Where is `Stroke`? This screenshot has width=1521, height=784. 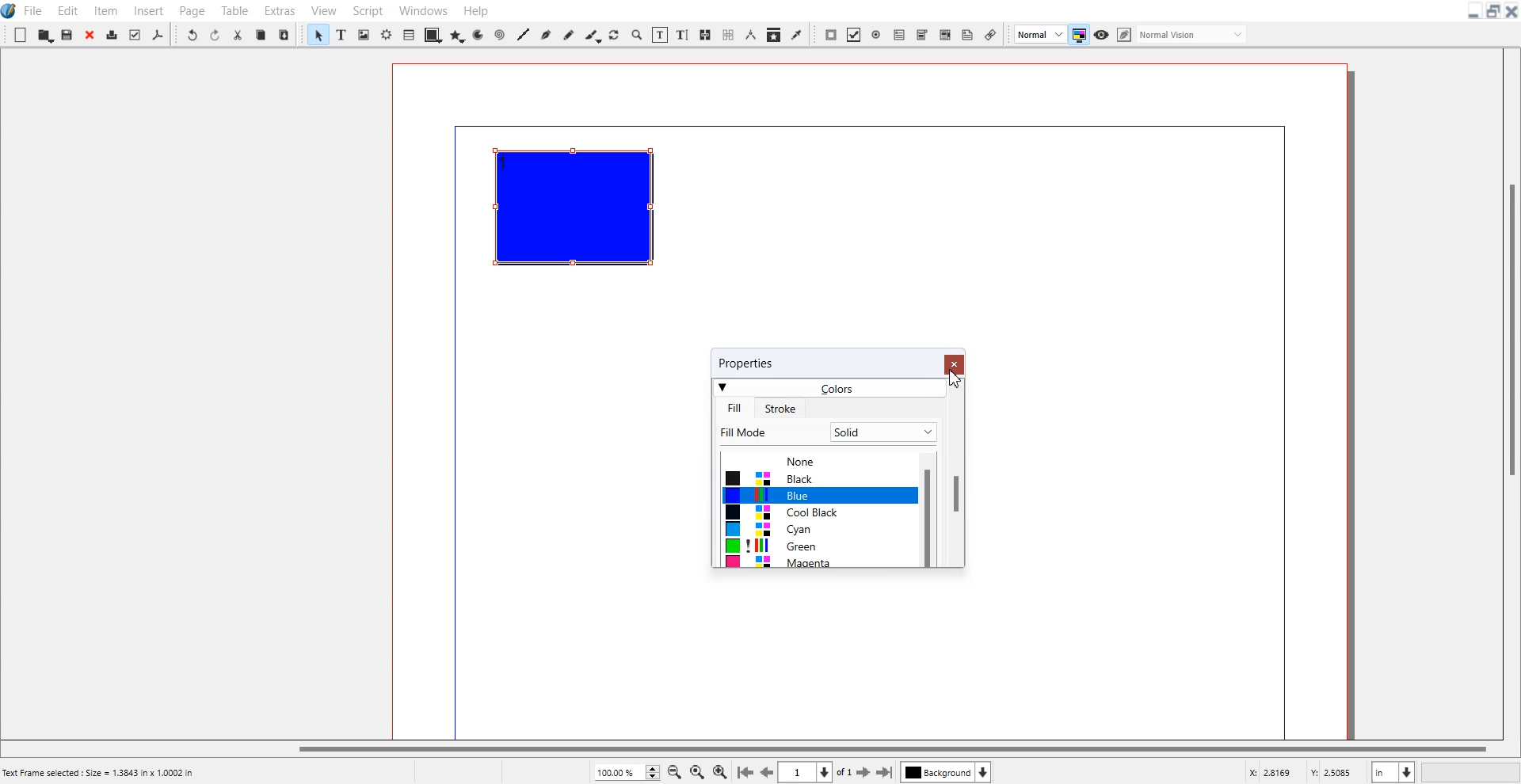
Stroke is located at coordinates (780, 409).